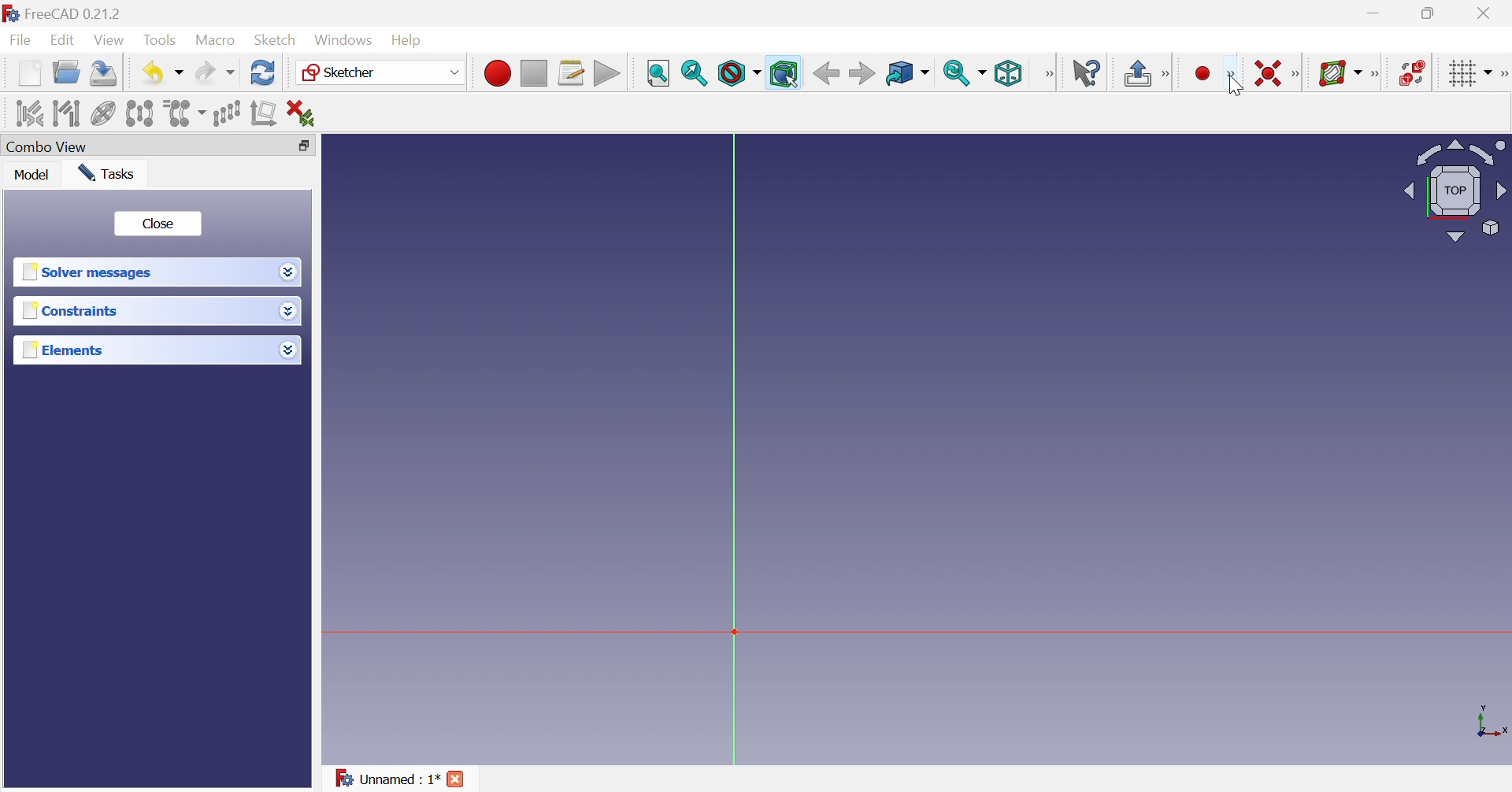 The width and height of the screenshot is (1512, 792). I want to click on canvas, so click(825, 427).